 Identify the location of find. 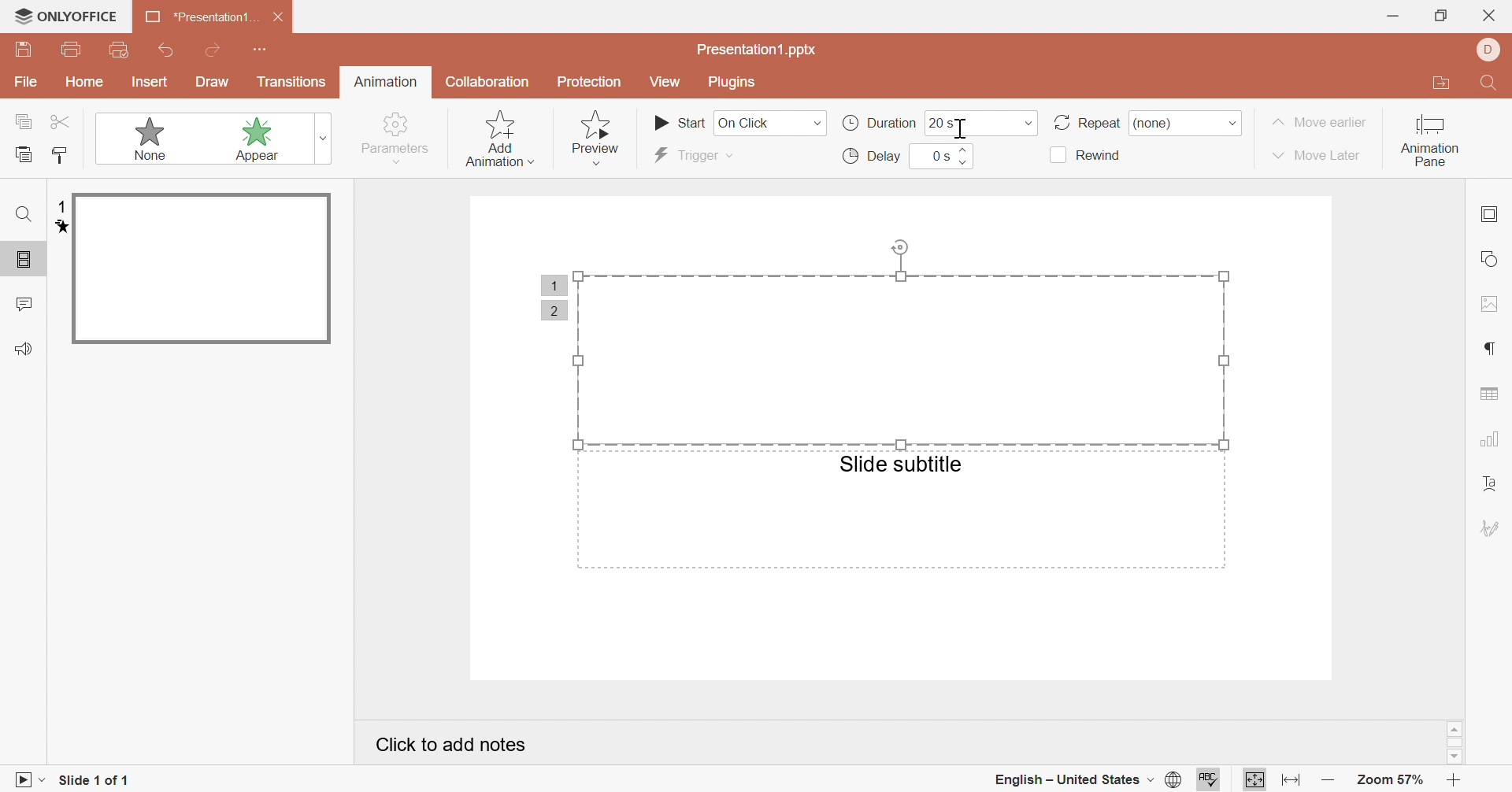
(26, 213).